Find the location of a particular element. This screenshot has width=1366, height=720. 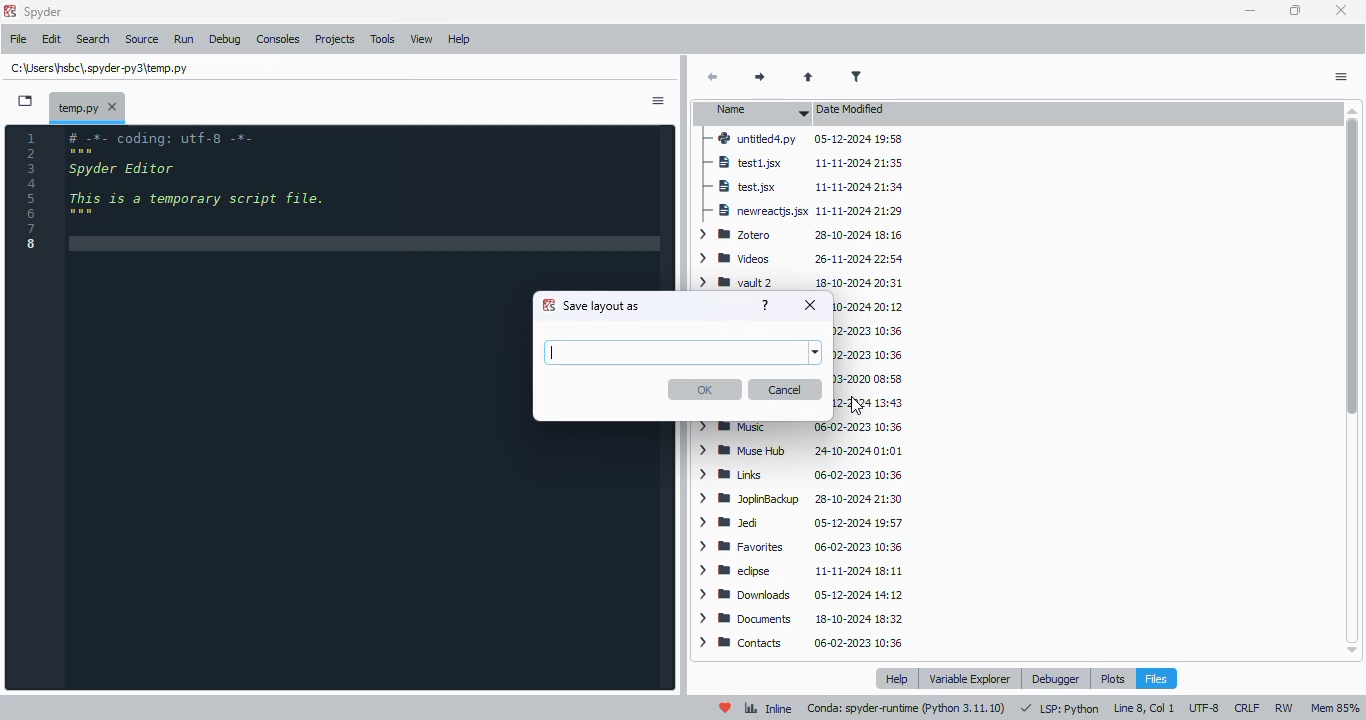

logo is located at coordinates (548, 304).